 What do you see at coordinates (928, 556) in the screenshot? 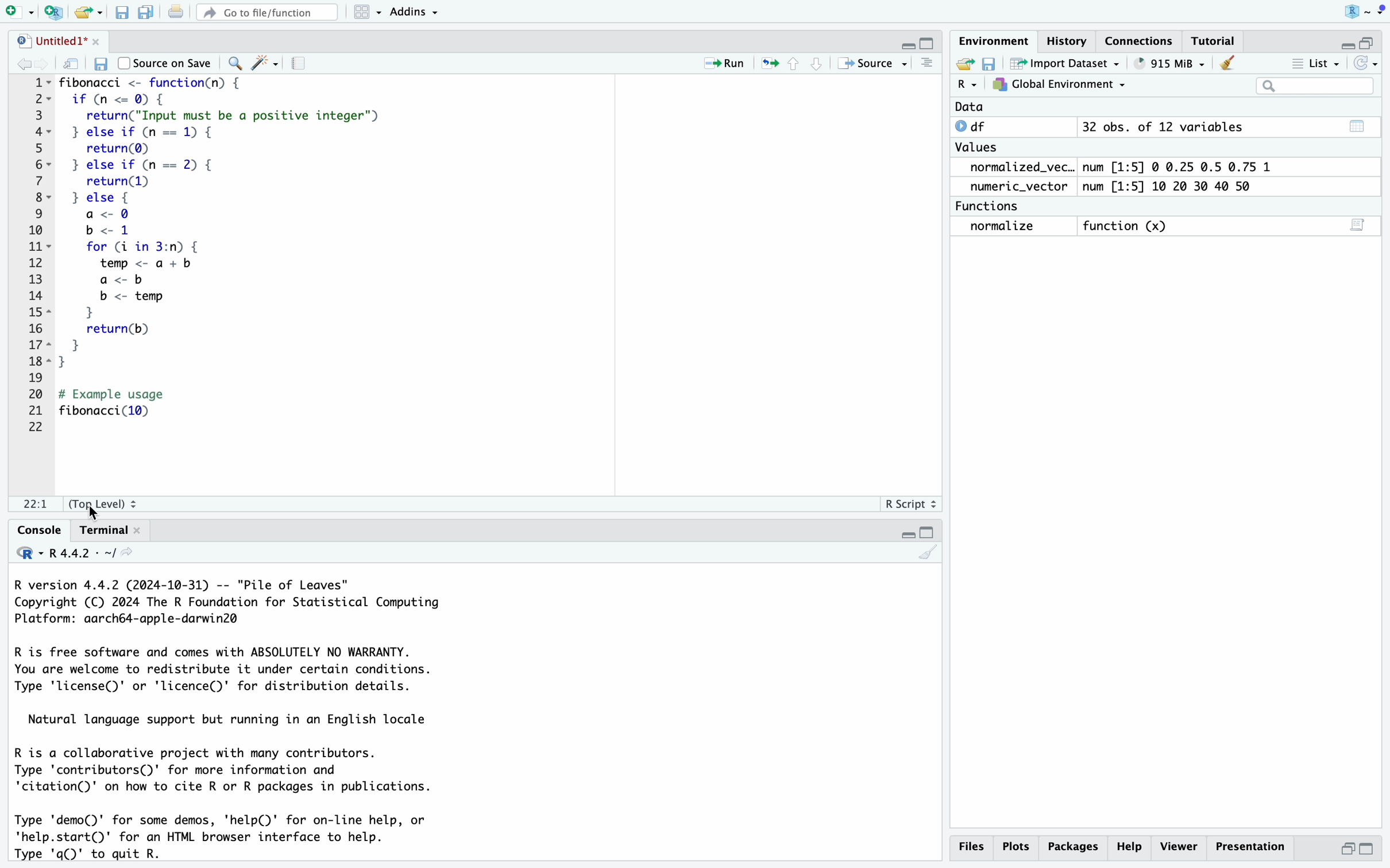
I see `clear console` at bounding box center [928, 556].